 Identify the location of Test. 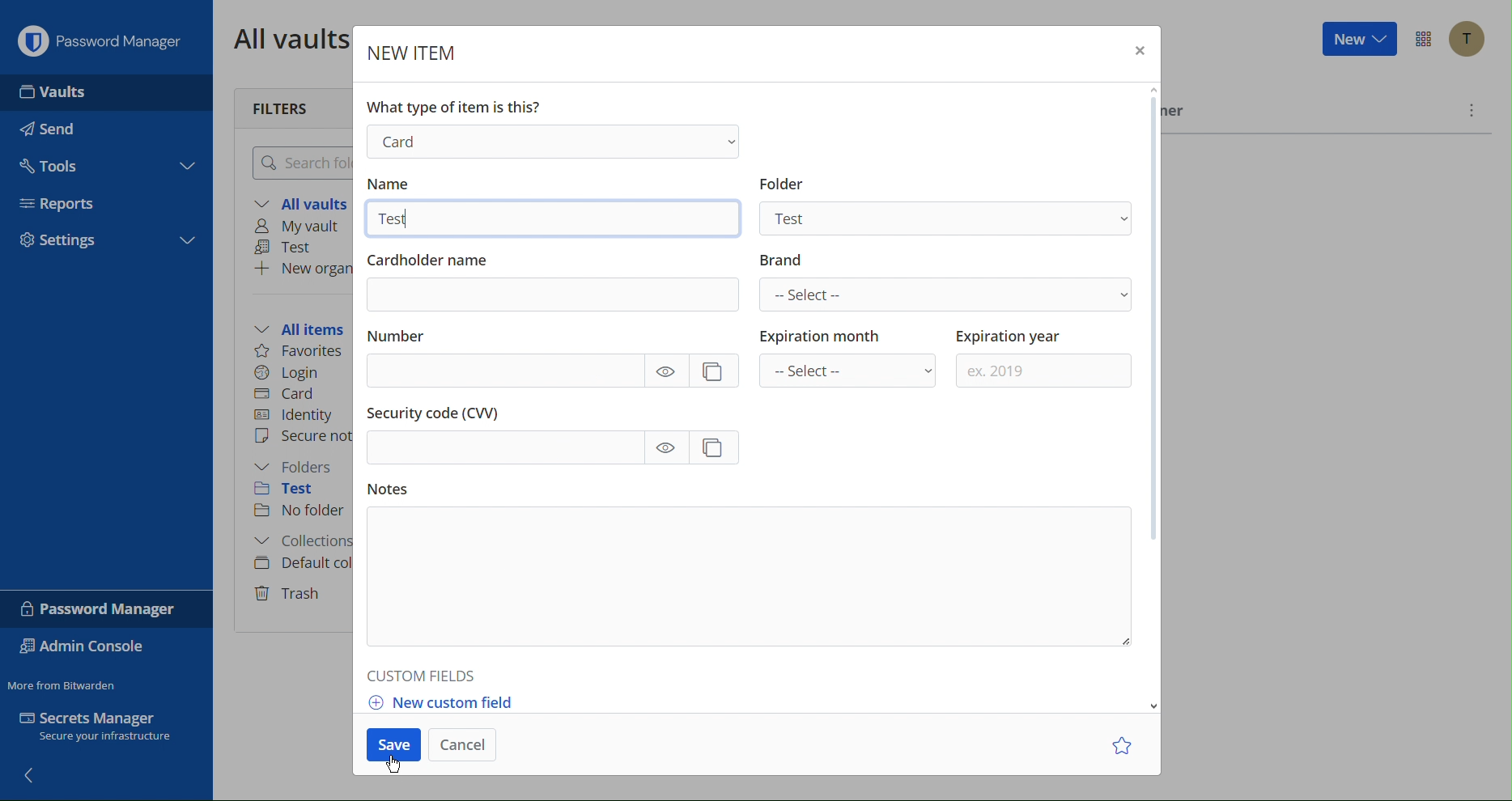
(289, 246).